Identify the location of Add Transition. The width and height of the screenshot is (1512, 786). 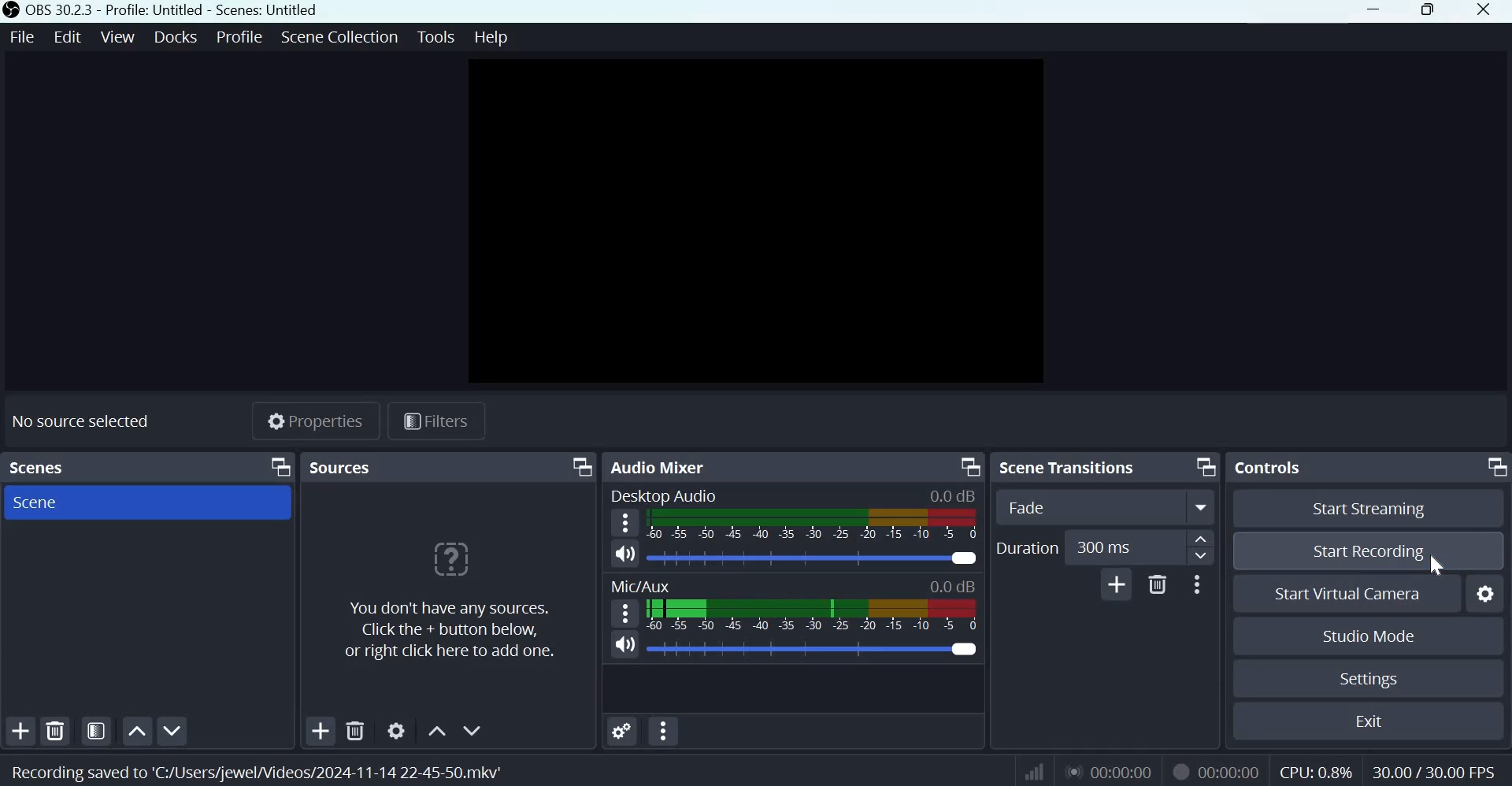
(1118, 584).